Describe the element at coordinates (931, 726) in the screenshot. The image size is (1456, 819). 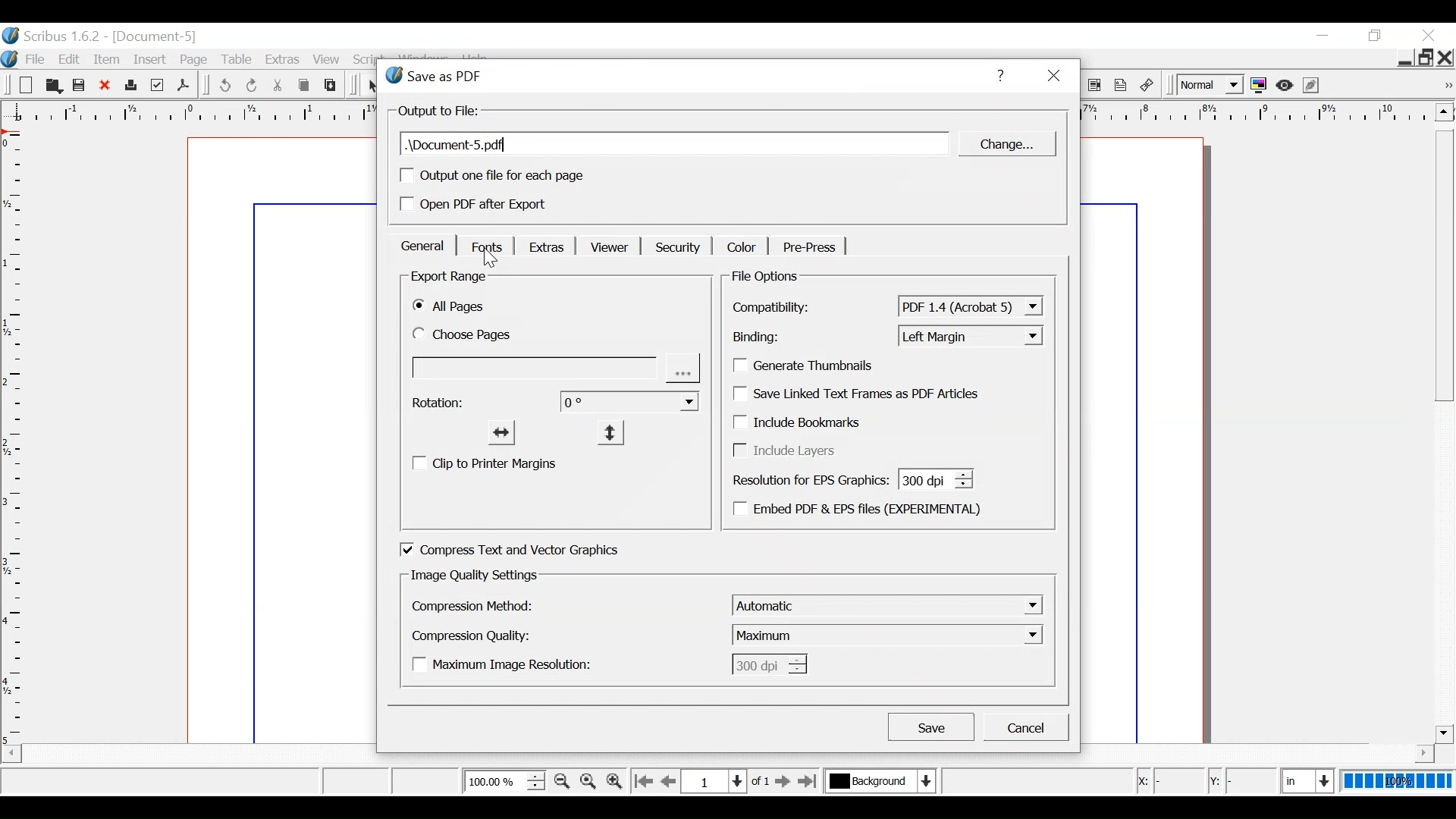
I see `Save` at that location.